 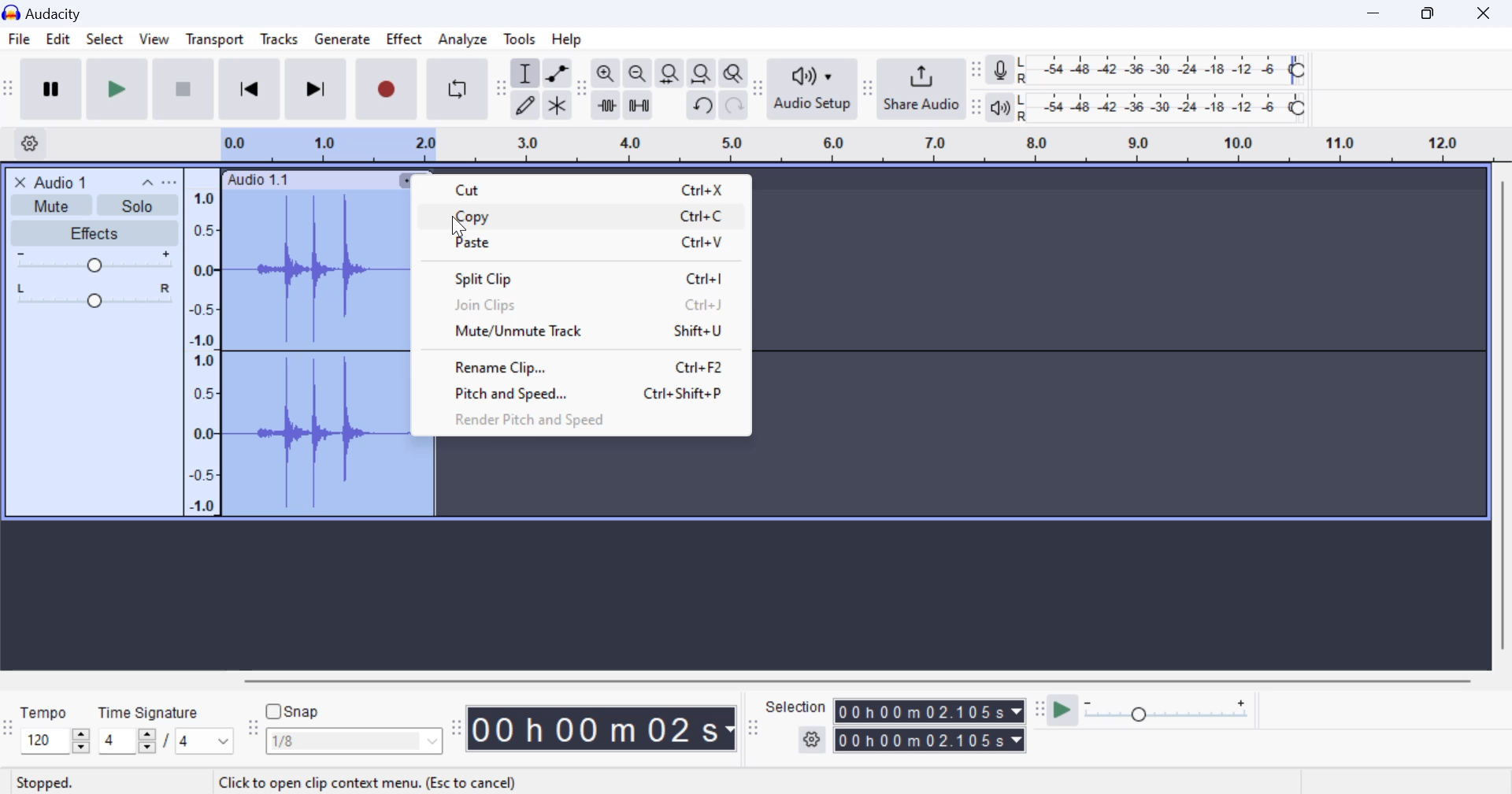 What do you see at coordinates (668, 75) in the screenshot?
I see `fit selection to width` at bounding box center [668, 75].